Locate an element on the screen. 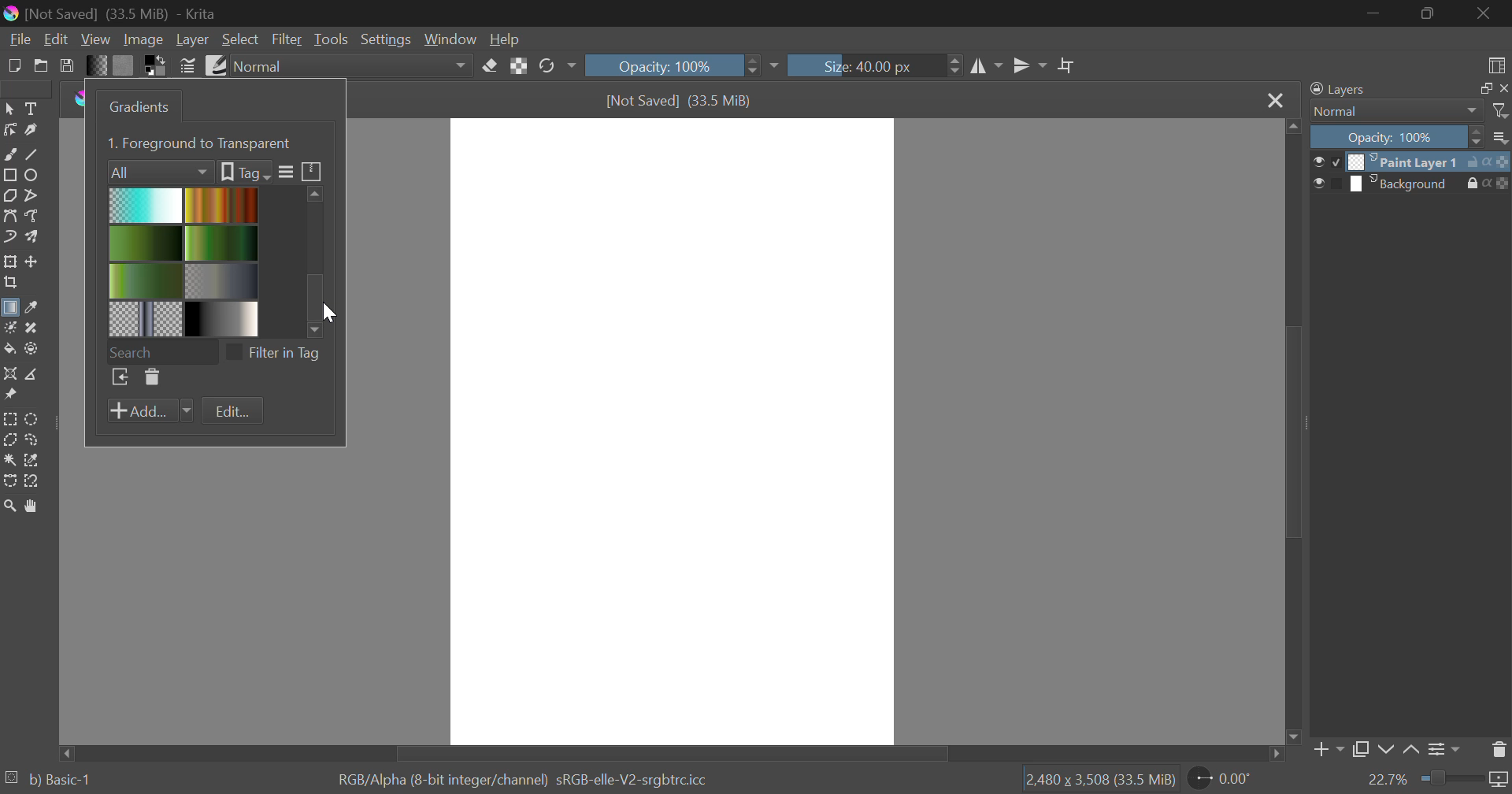  Select is located at coordinates (9, 107).